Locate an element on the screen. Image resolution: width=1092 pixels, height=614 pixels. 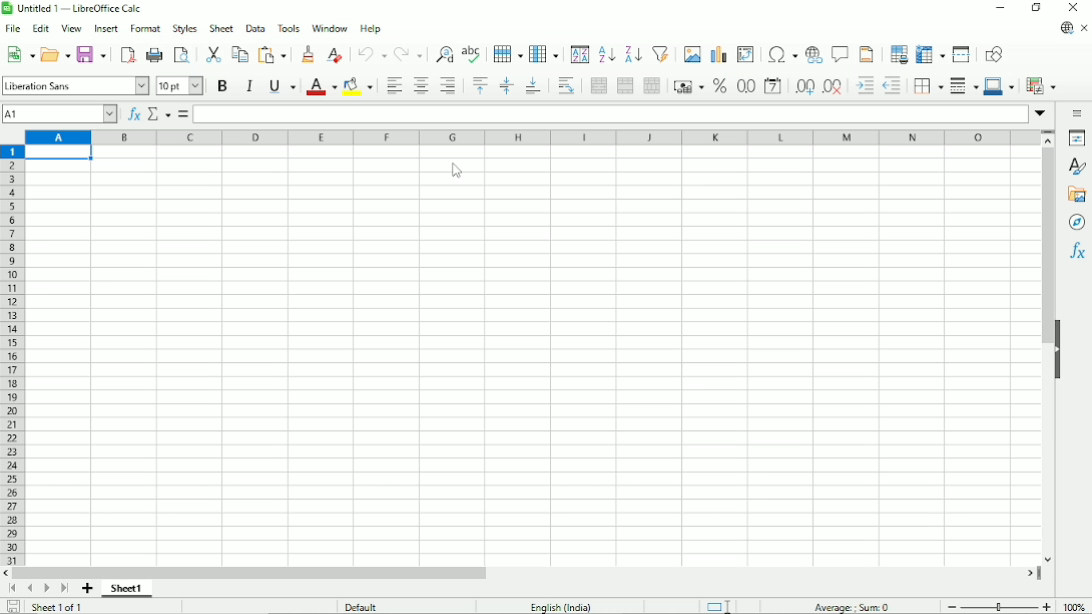
Close document is located at coordinates (1085, 27).